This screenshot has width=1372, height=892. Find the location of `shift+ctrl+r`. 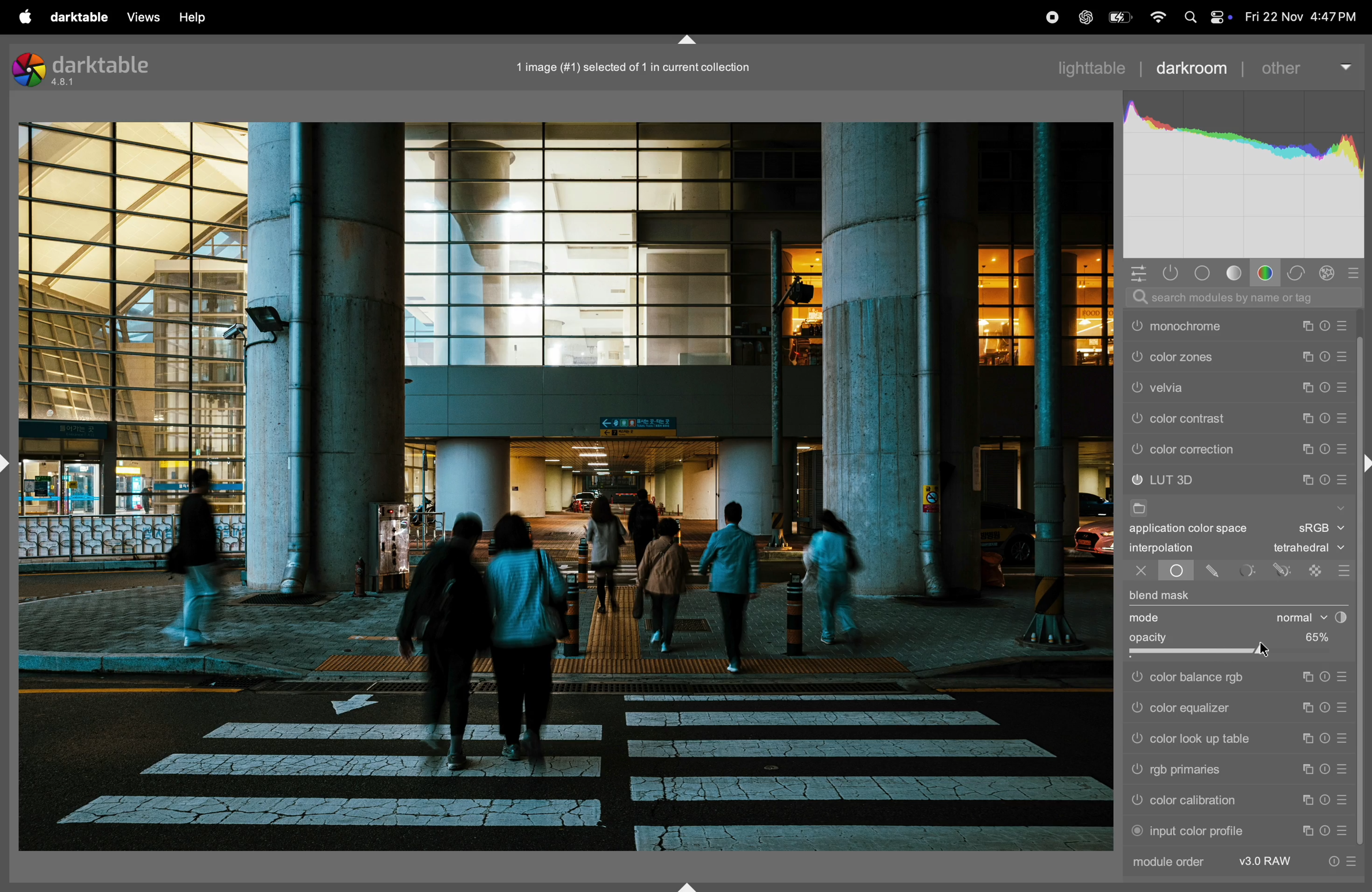

shift+ctrl+r is located at coordinates (1363, 463).